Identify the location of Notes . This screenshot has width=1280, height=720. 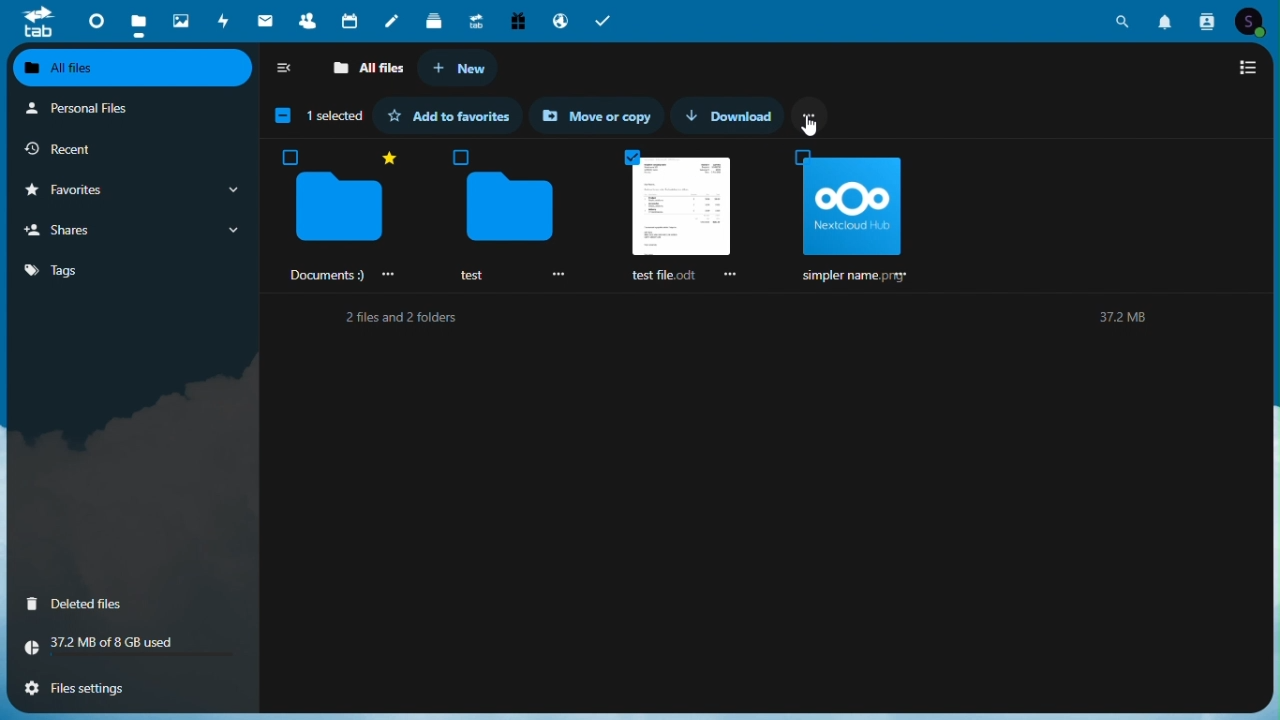
(395, 22).